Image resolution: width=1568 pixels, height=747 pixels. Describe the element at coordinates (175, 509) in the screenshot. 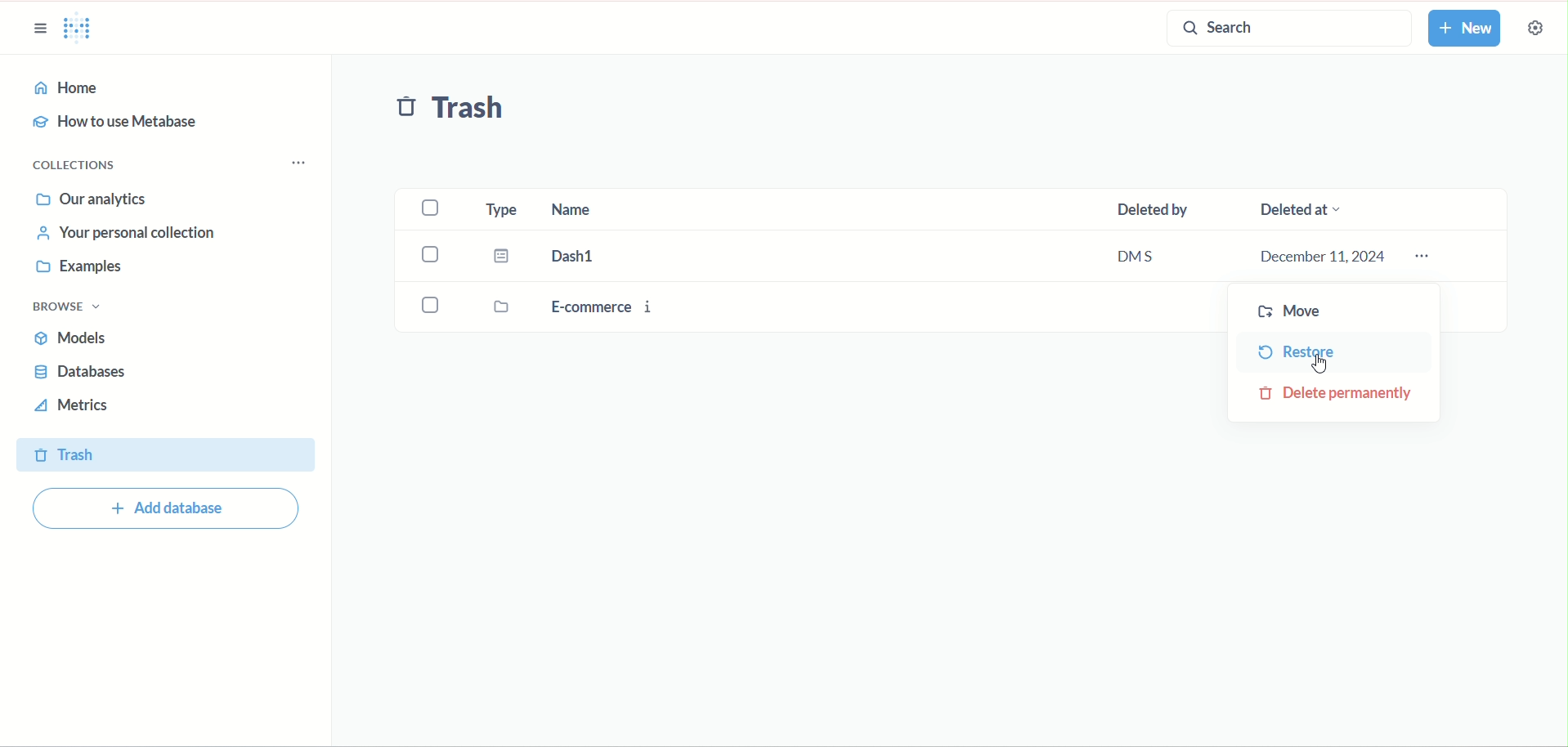

I see `add database` at that location.